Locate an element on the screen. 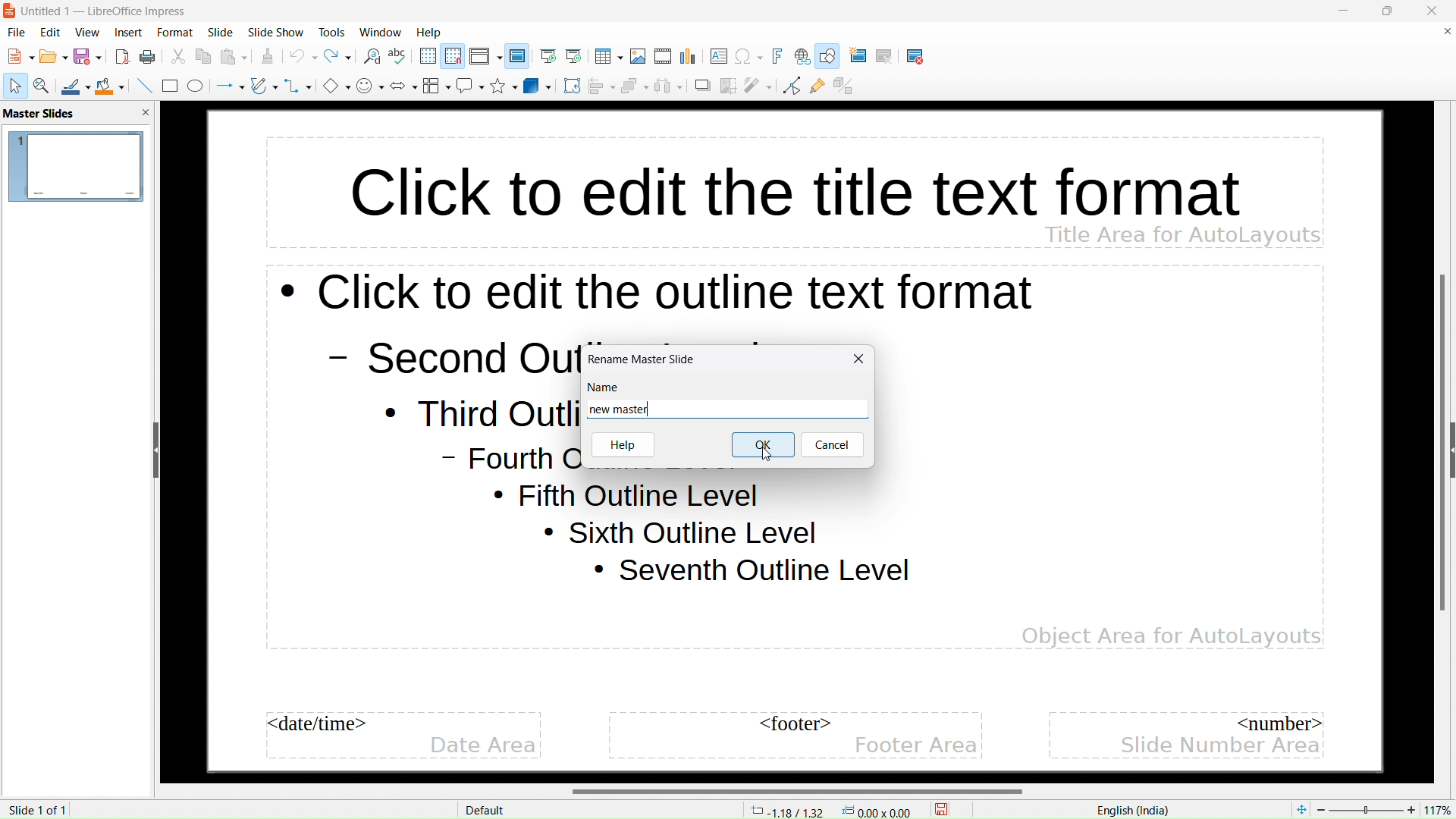  align objects is located at coordinates (601, 86).